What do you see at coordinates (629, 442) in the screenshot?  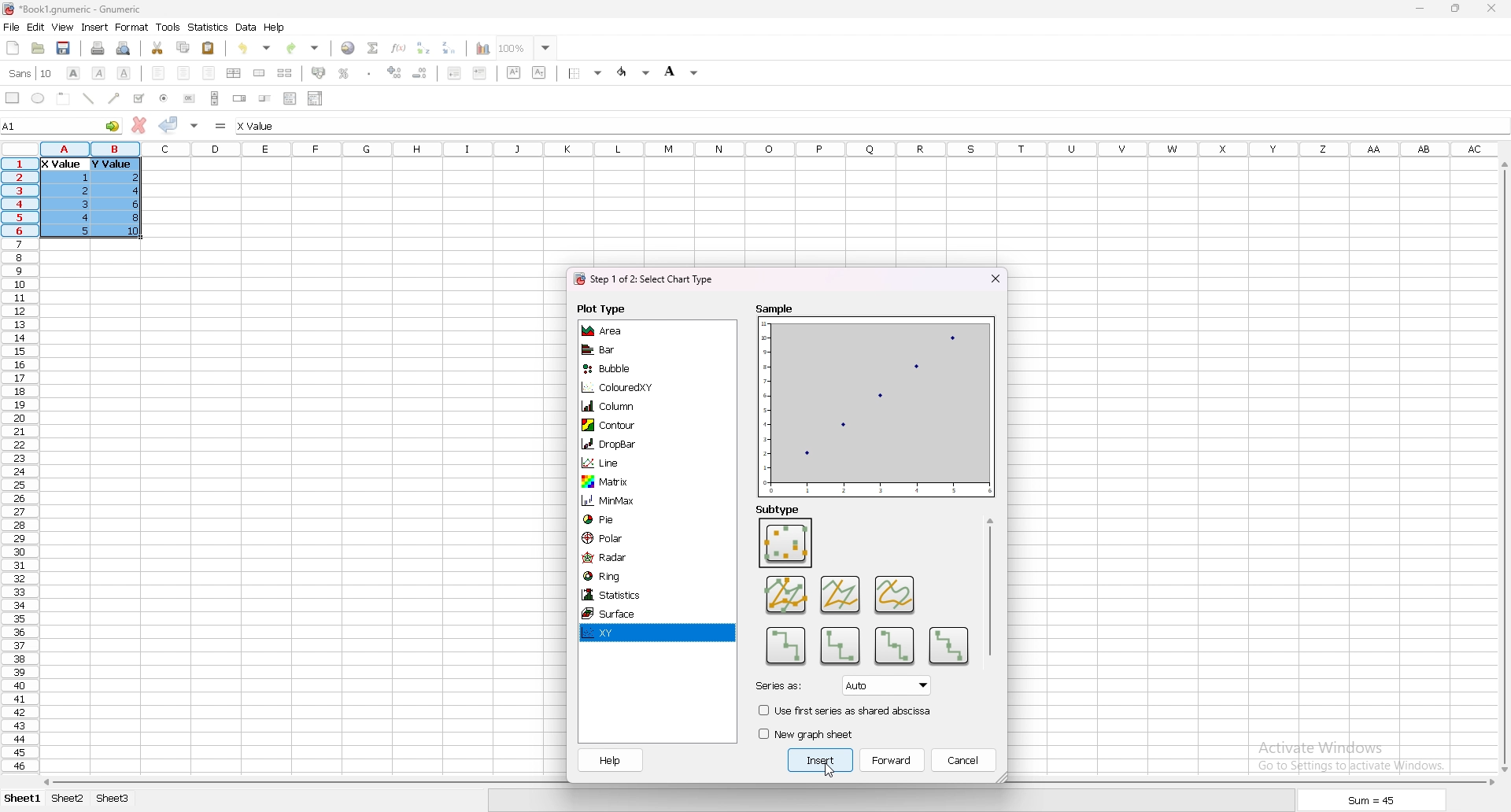 I see `dropbar` at bounding box center [629, 442].